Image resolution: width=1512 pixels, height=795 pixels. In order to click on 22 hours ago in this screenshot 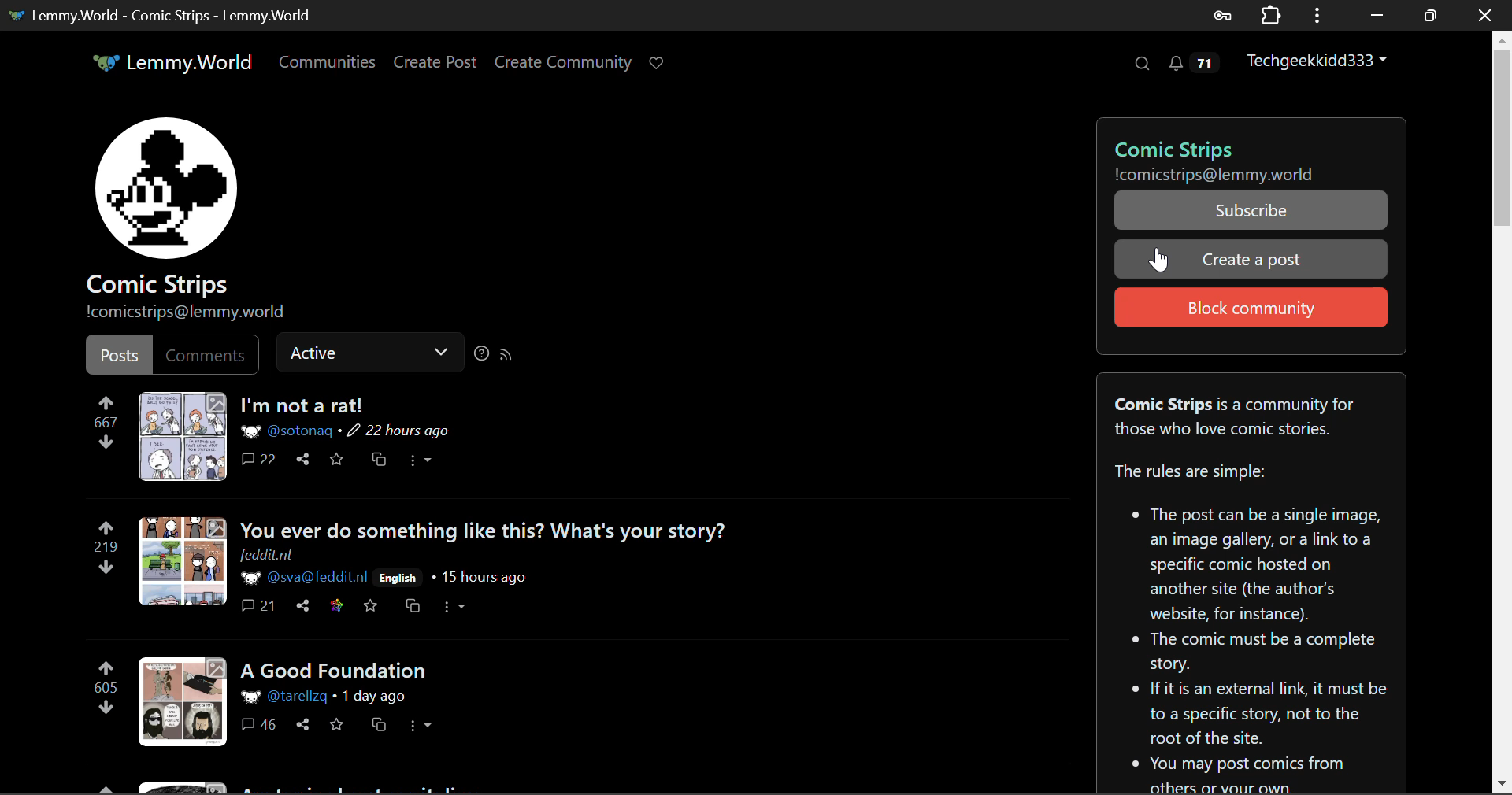, I will do `click(408, 431)`.